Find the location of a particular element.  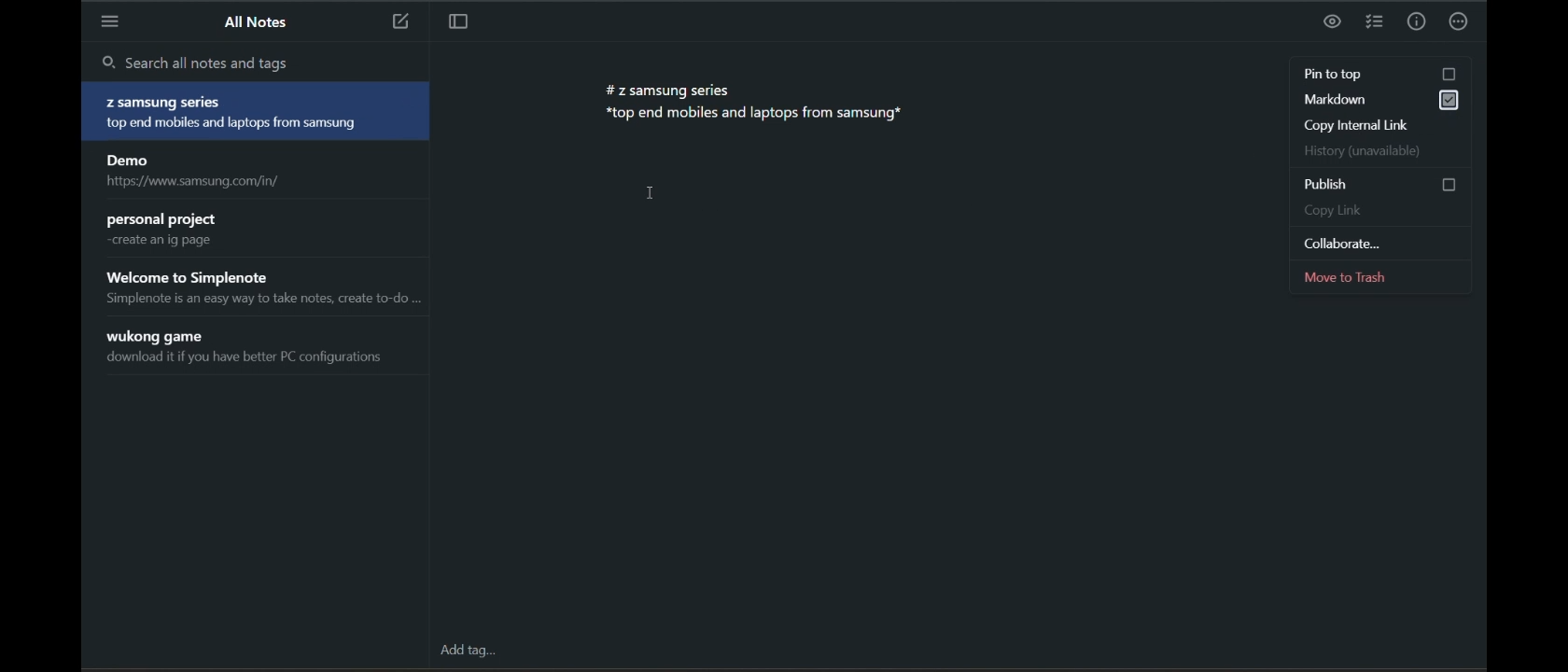

actions is located at coordinates (1460, 22).